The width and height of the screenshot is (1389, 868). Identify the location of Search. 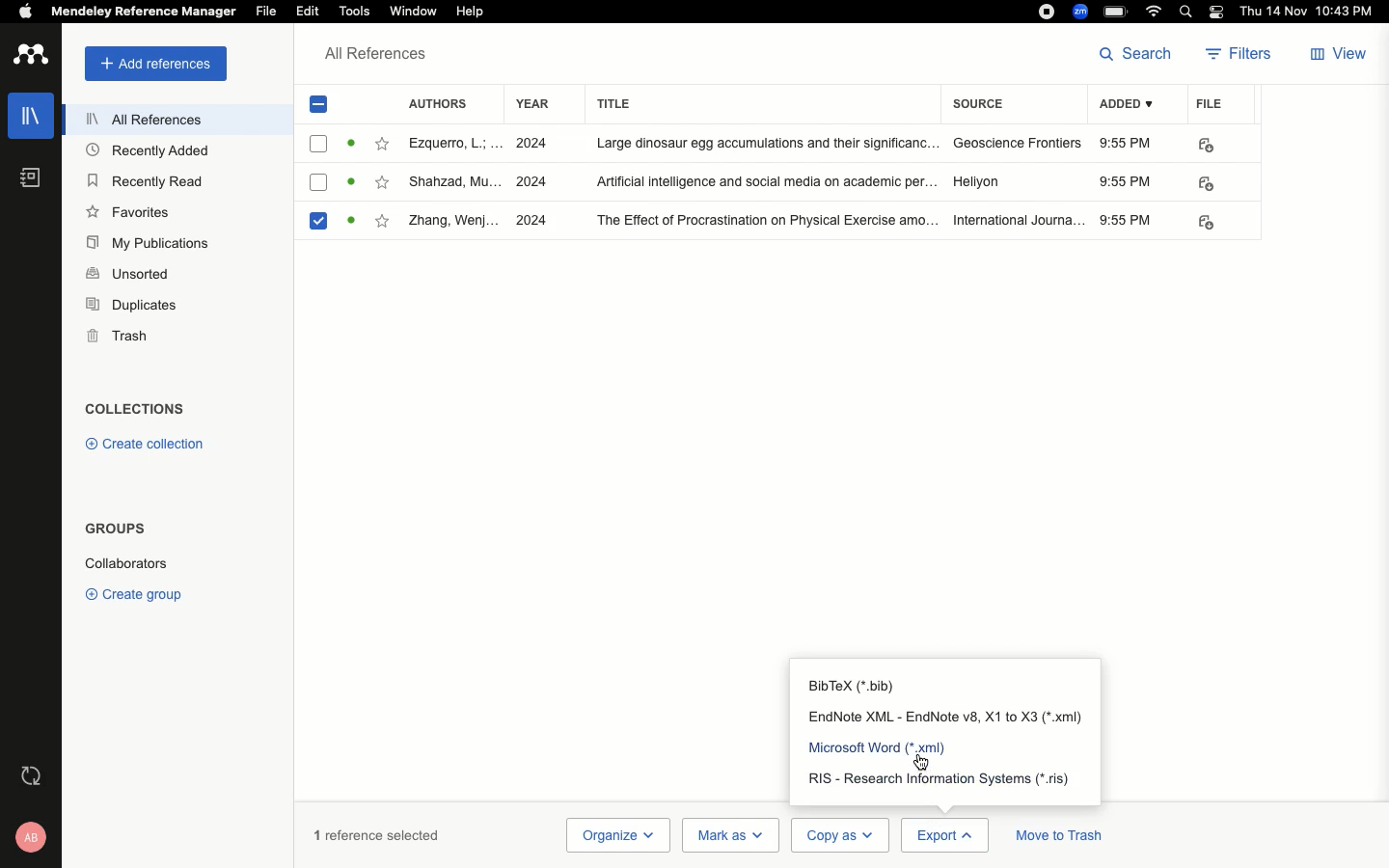
(1139, 53).